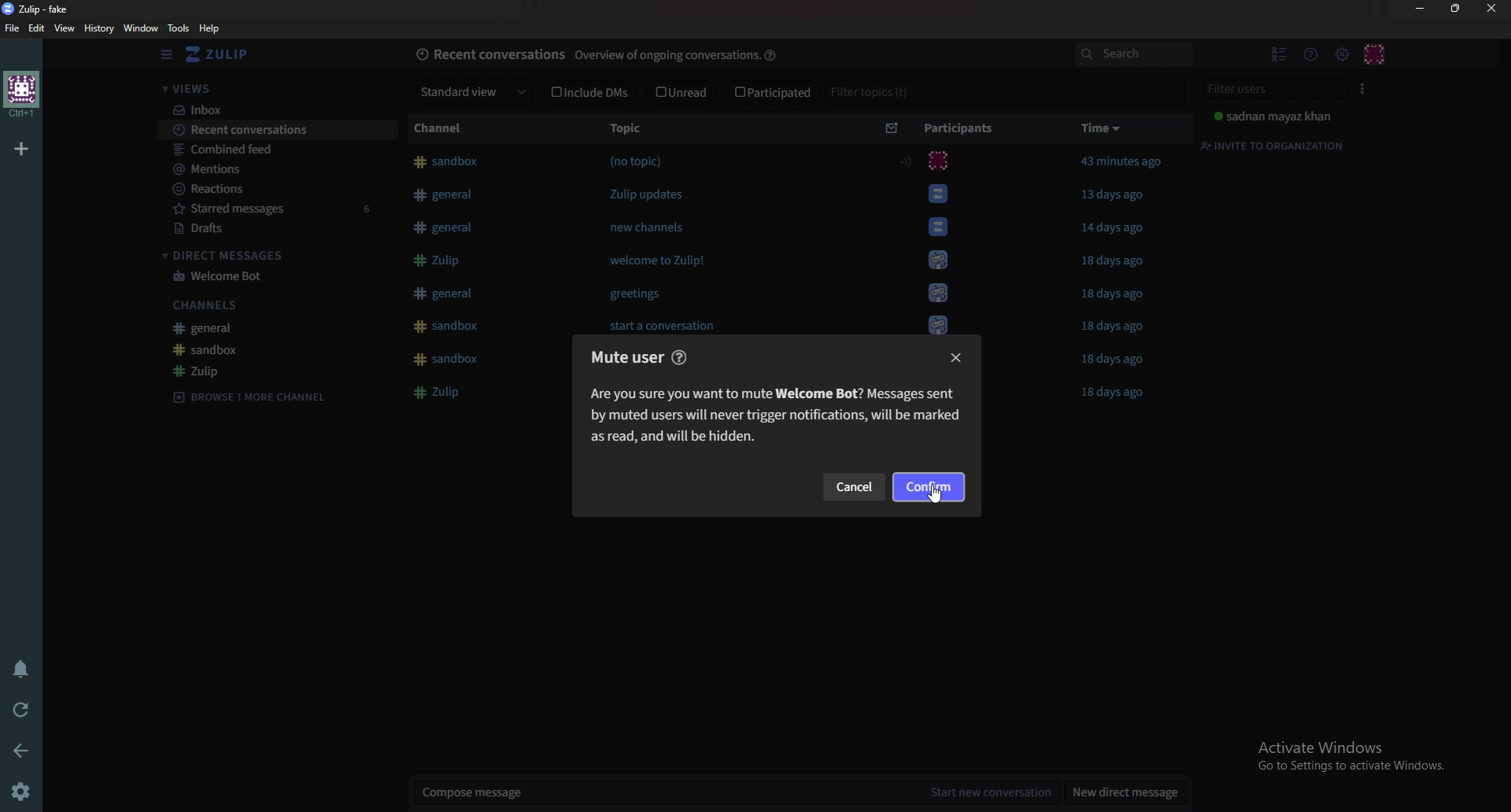  What do you see at coordinates (674, 326) in the screenshot?
I see `start a conversation` at bounding box center [674, 326].